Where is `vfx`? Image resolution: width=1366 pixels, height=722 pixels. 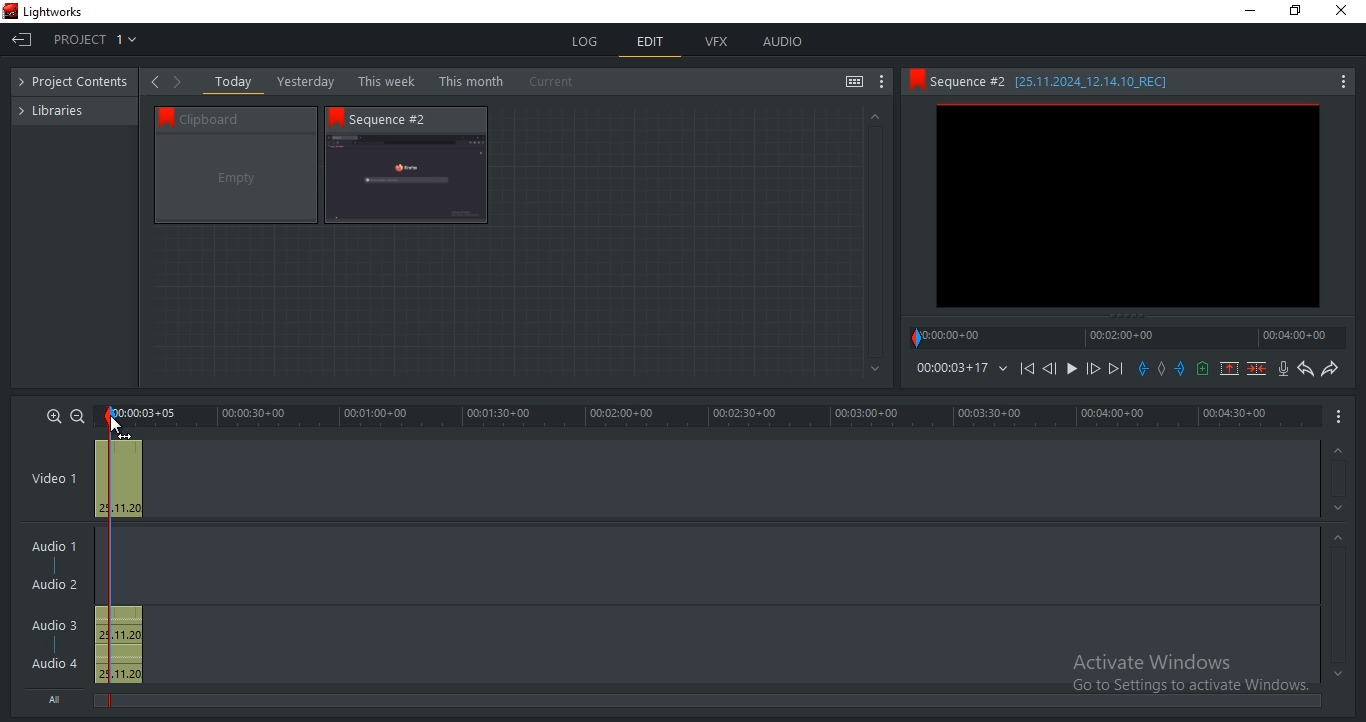
vfx is located at coordinates (716, 42).